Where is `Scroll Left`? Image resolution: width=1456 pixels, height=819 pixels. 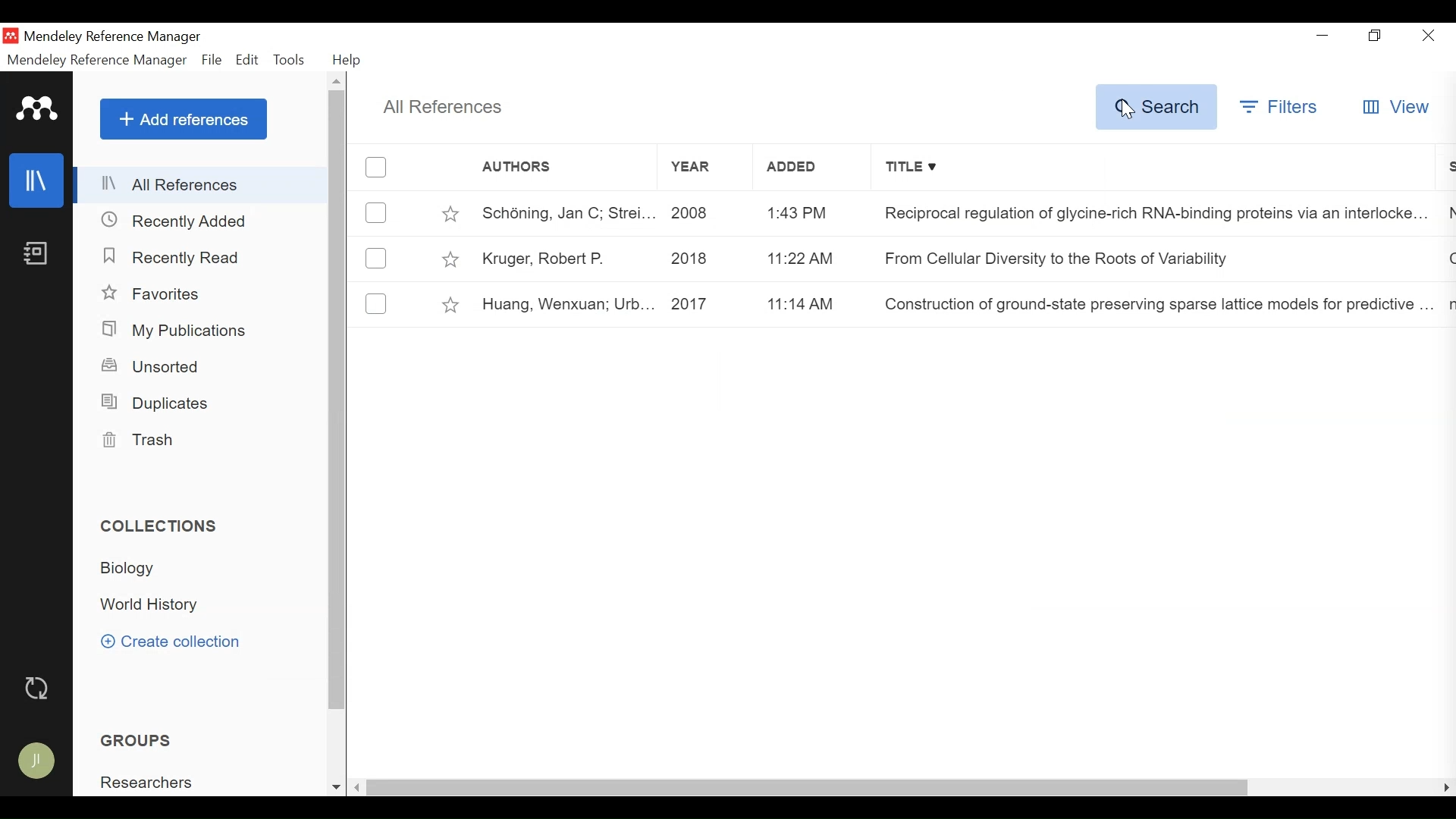
Scroll Left is located at coordinates (358, 789).